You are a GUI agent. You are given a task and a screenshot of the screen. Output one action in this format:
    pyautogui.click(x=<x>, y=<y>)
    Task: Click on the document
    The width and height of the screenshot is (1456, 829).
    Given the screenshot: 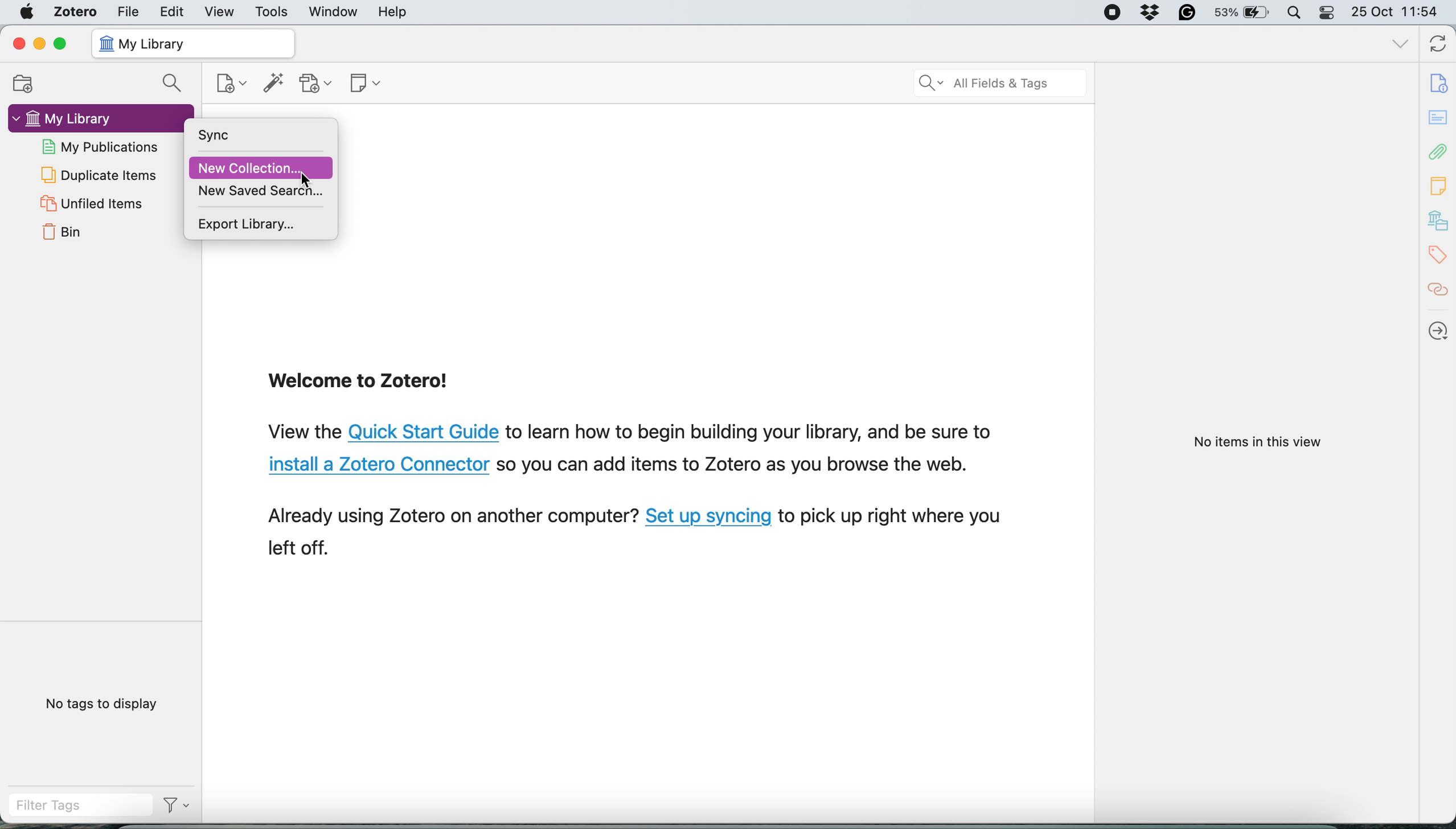 What is the action you would take?
    pyautogui.click(x=1441, y=84)
    